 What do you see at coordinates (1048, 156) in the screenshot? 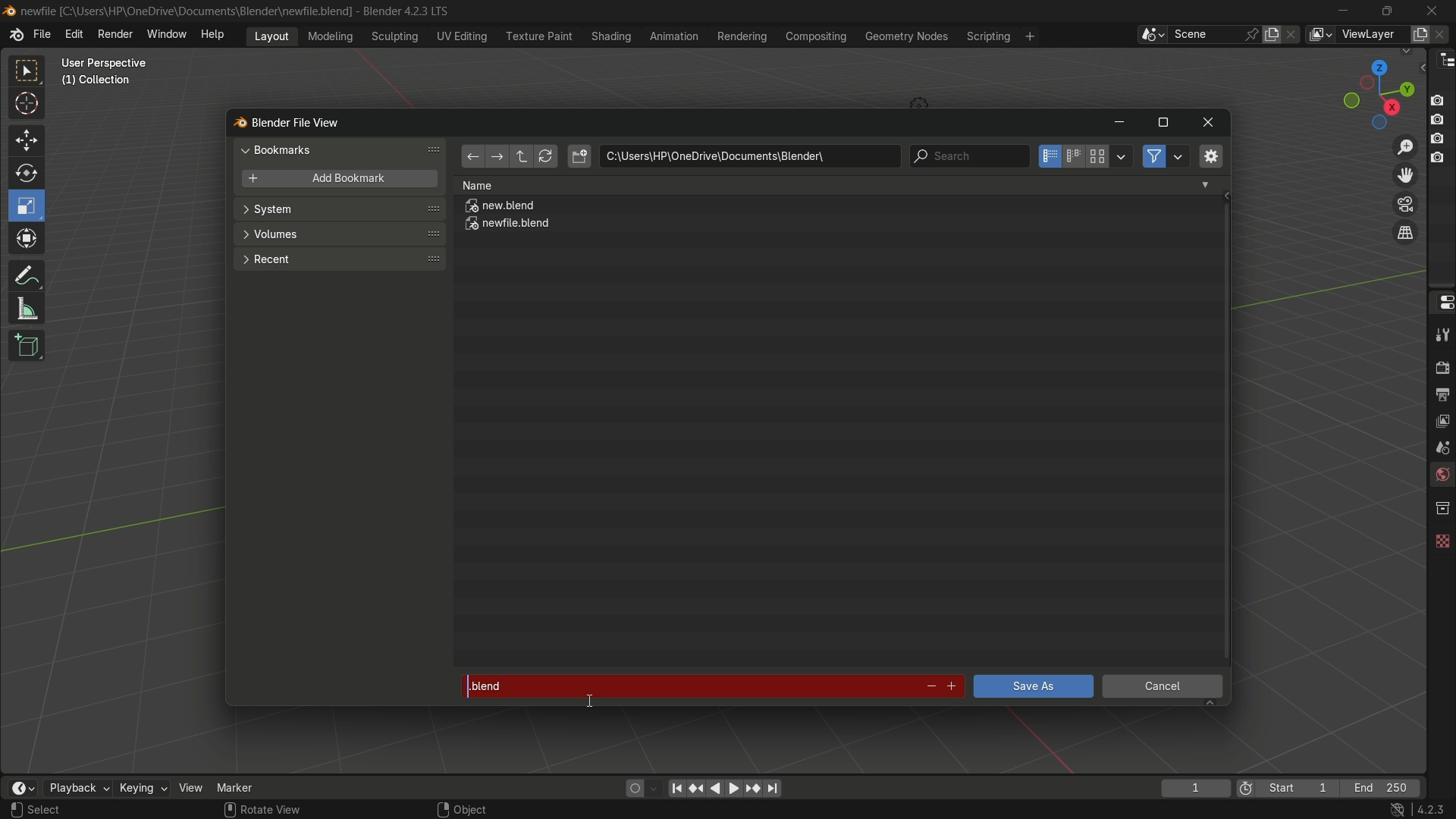
I see `vertical list` at bounding box center [1048, 156].